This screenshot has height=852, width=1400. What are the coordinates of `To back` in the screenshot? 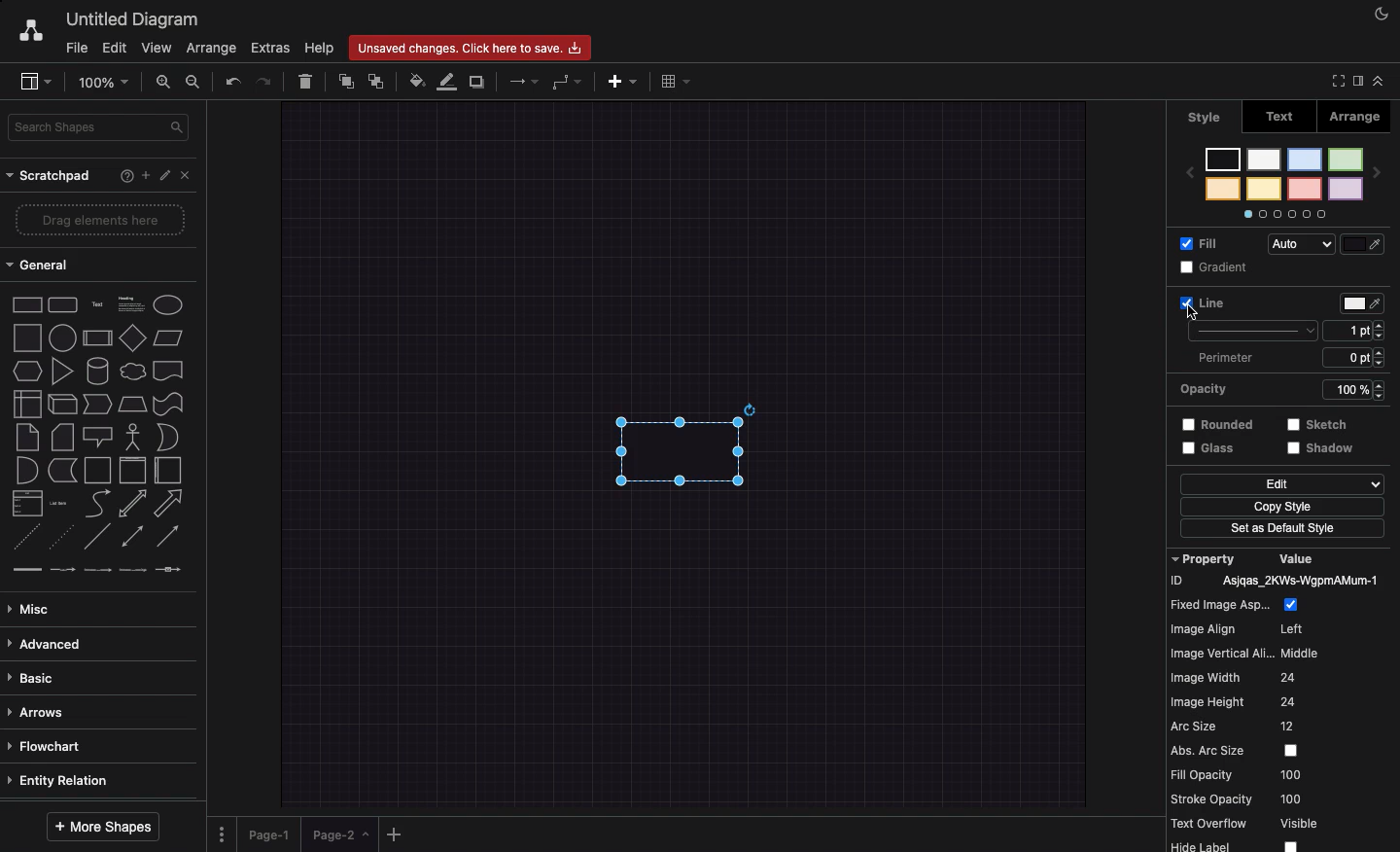 It's located at (380, 81).